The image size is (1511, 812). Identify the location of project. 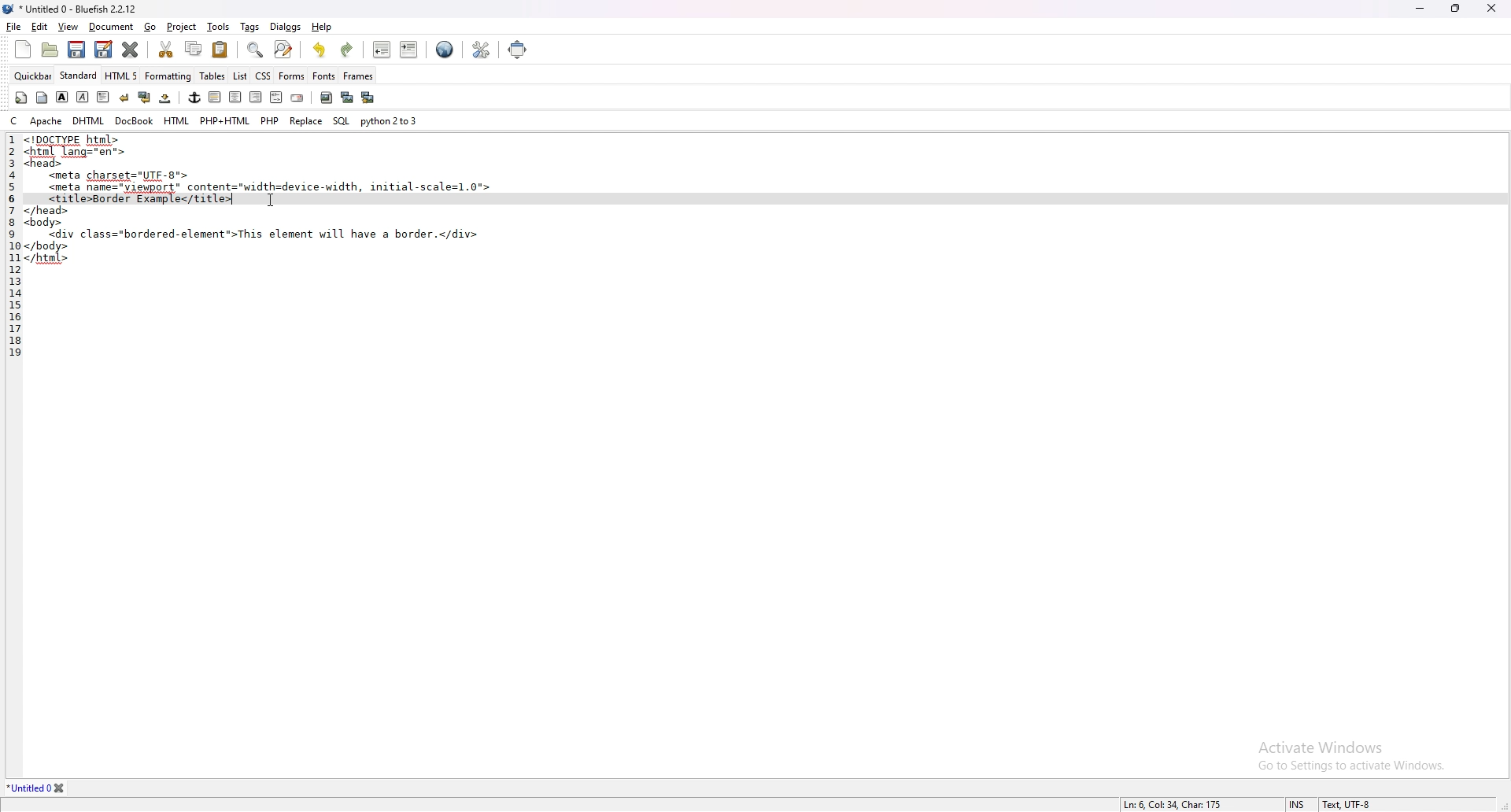
(183, 28).